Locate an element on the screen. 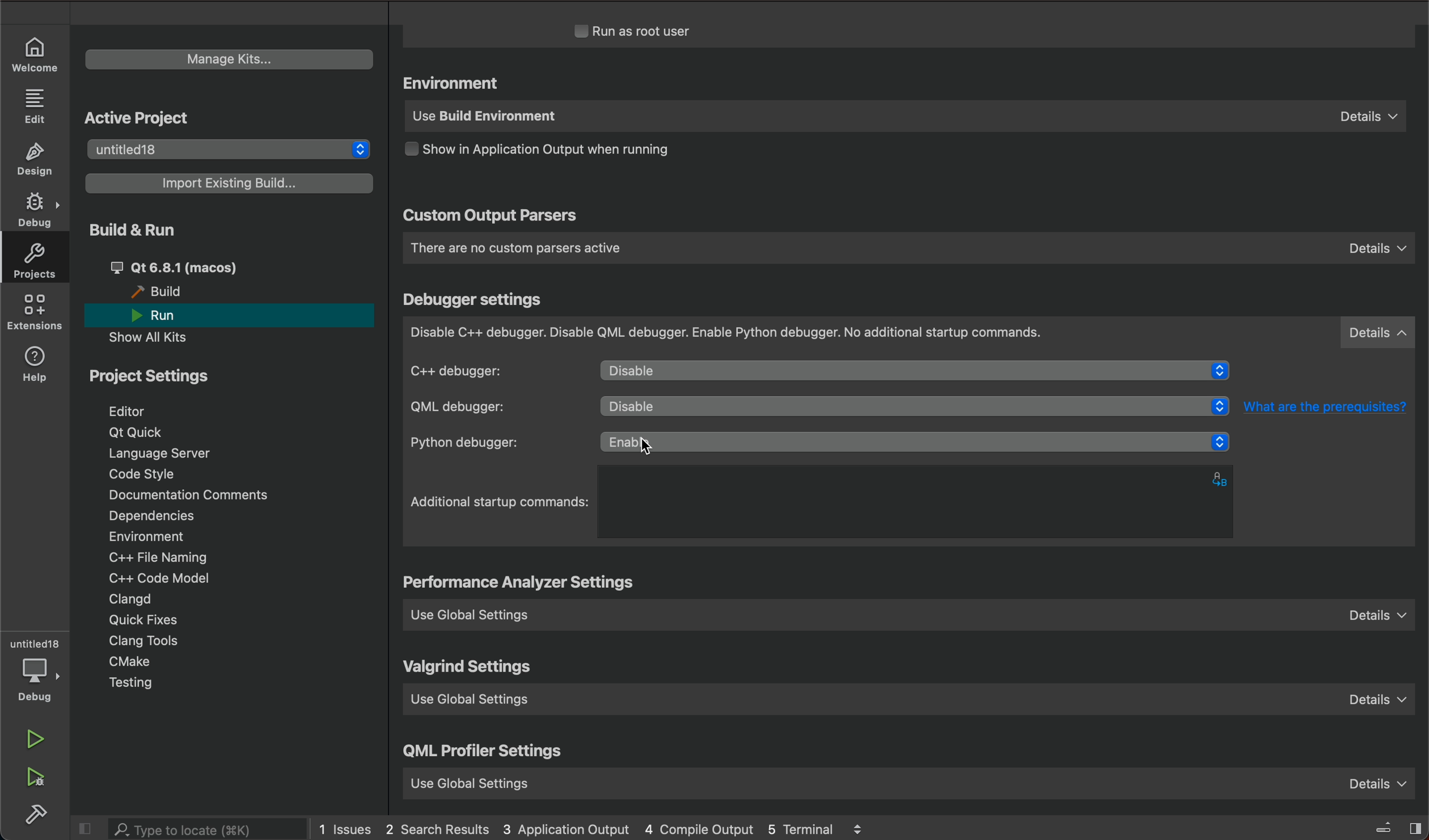 The height and width of the screenshot is (840, 1429). custom is located at coordinates (490, 217).